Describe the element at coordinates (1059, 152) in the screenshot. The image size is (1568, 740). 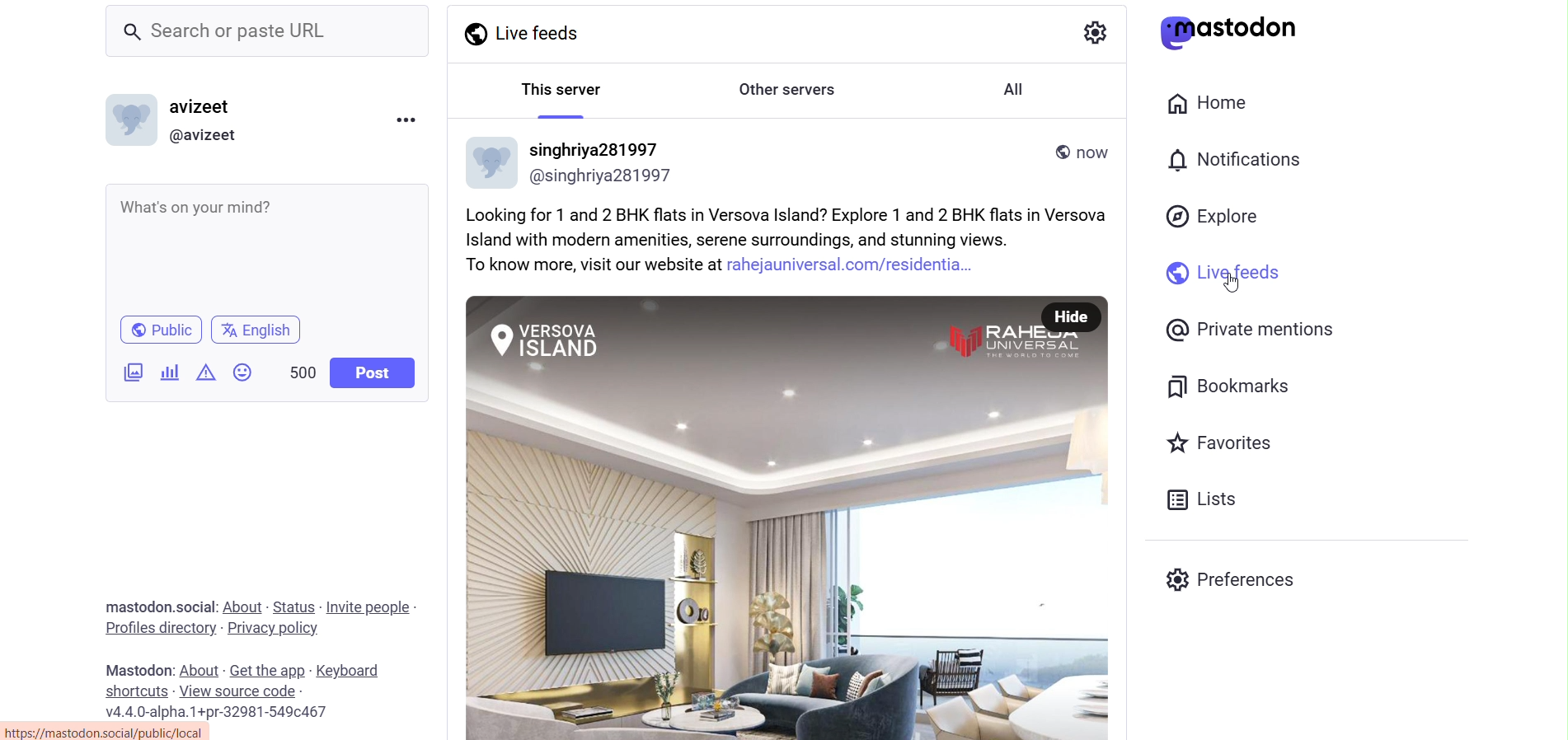
I see `Public Post` at that location.